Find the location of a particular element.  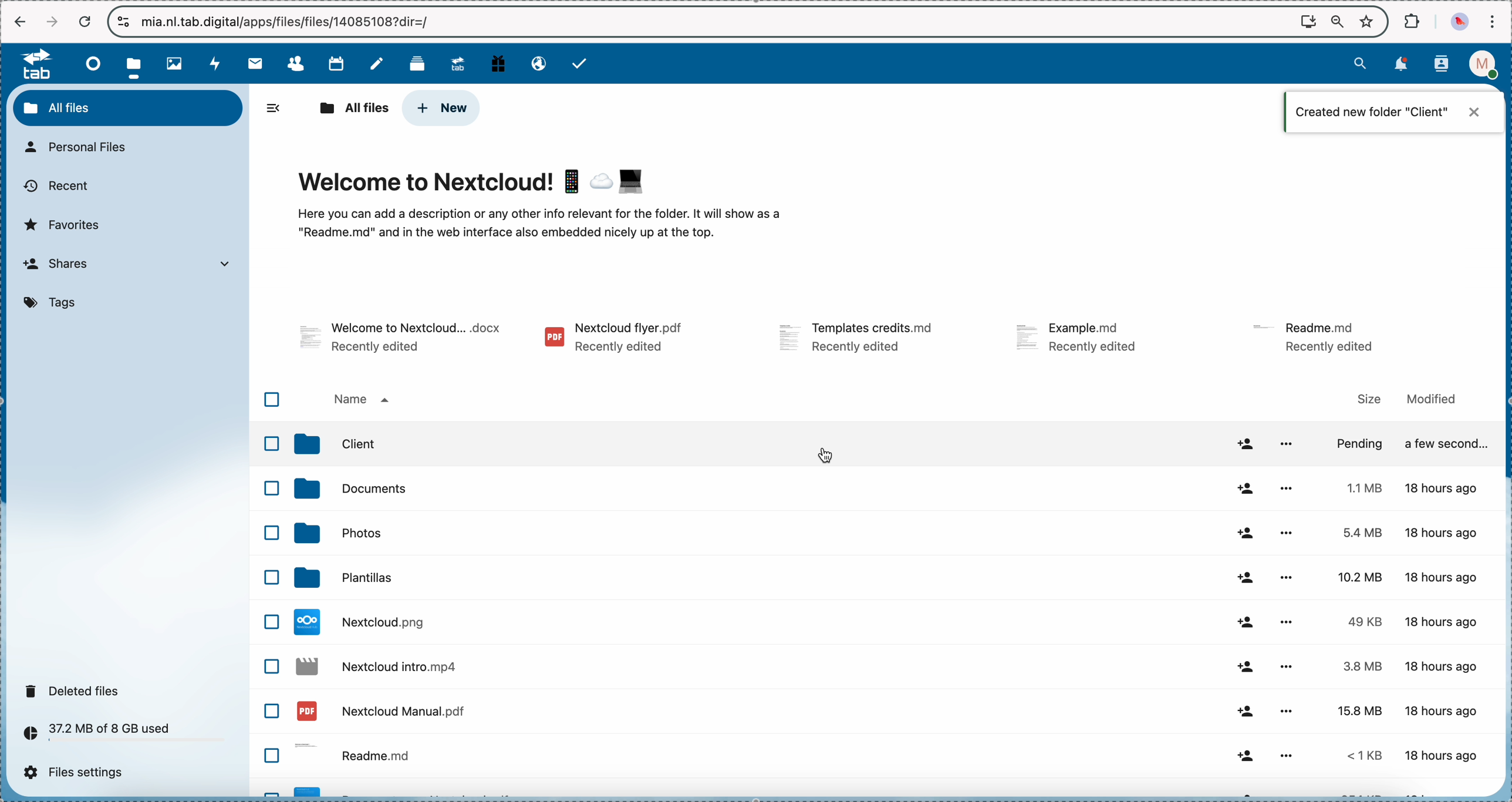

extensions is located at coordinates (1413, 20).